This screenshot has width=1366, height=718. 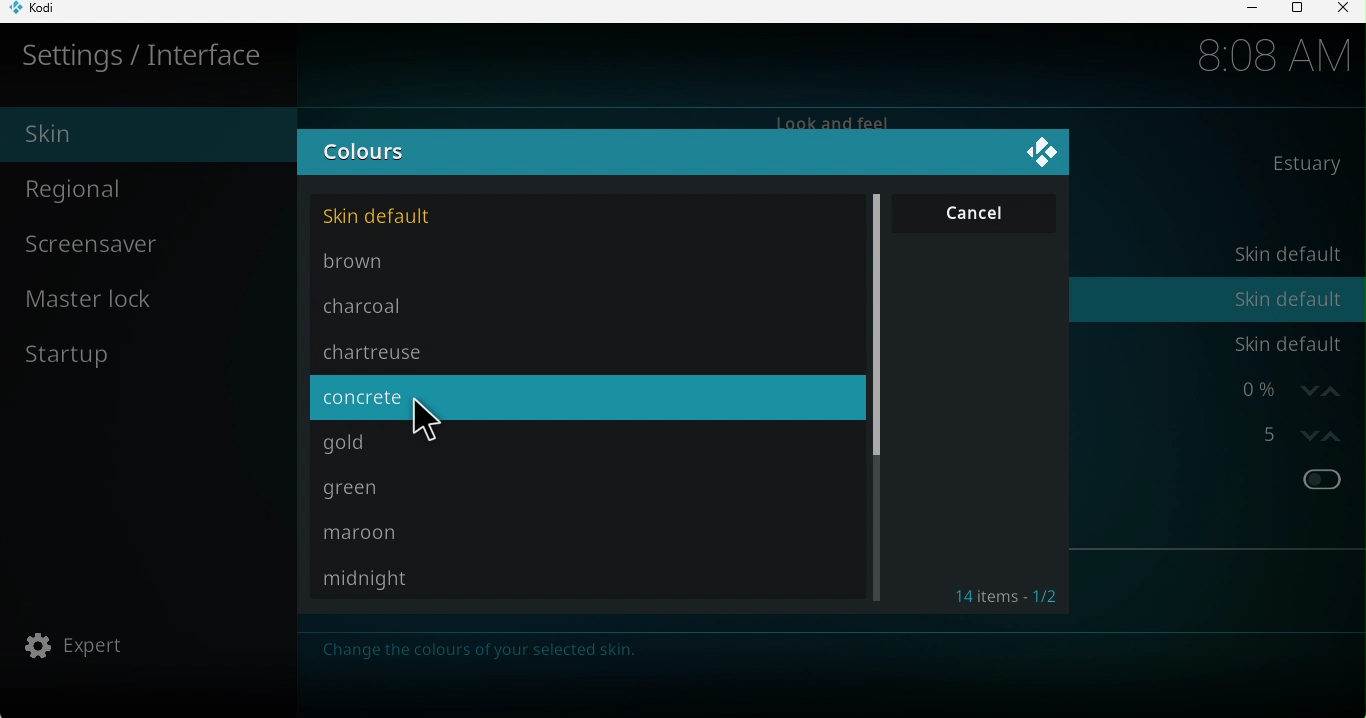 I want to click on Fonts, so click(x=1210, y=343).